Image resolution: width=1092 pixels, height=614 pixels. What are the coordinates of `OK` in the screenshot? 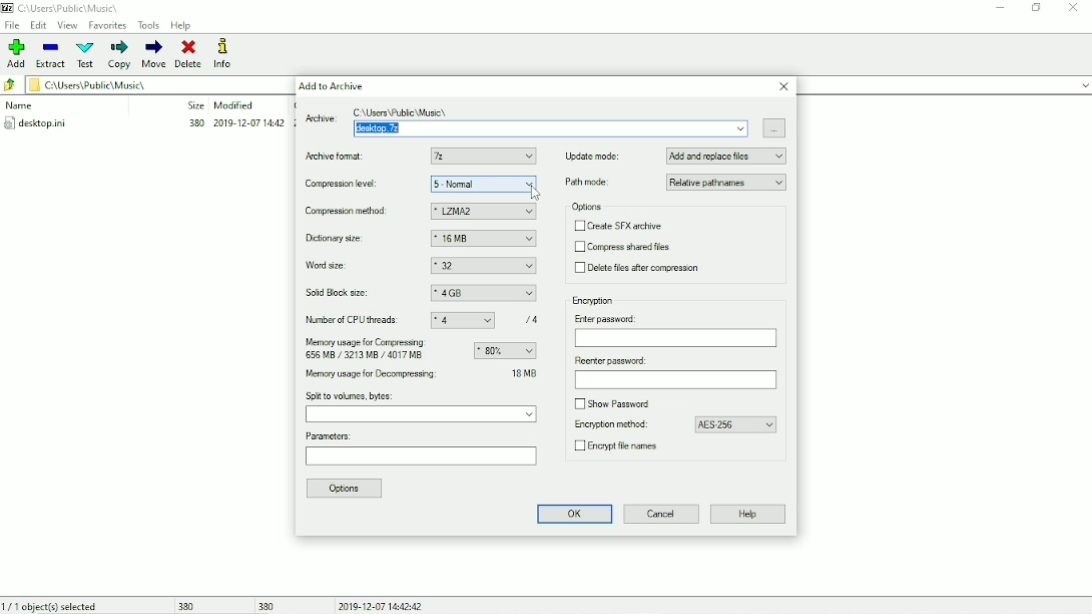 It's located at (572, 514).